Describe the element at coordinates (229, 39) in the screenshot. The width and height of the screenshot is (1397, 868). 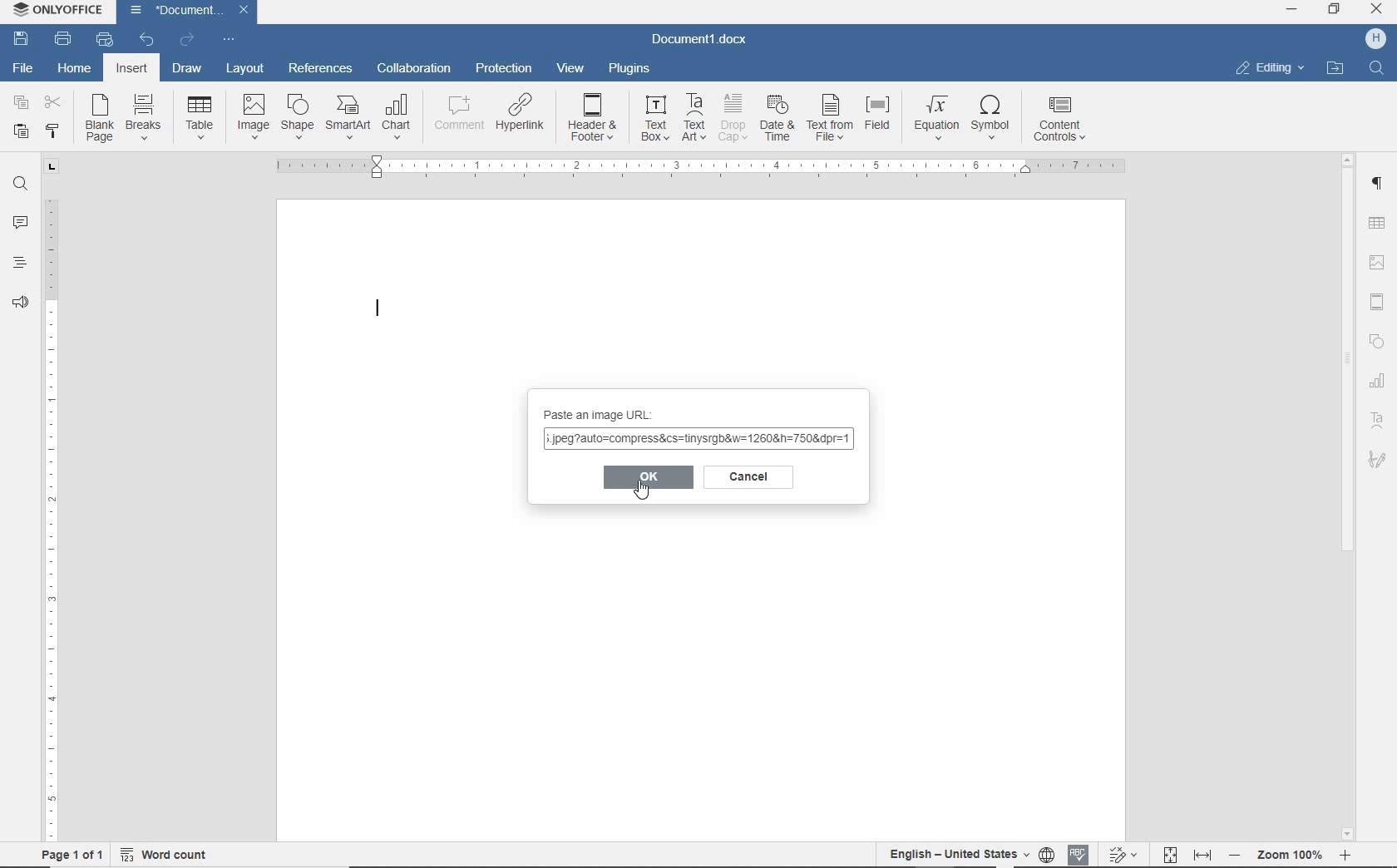
I see `customize quick access toolbar` at that location.